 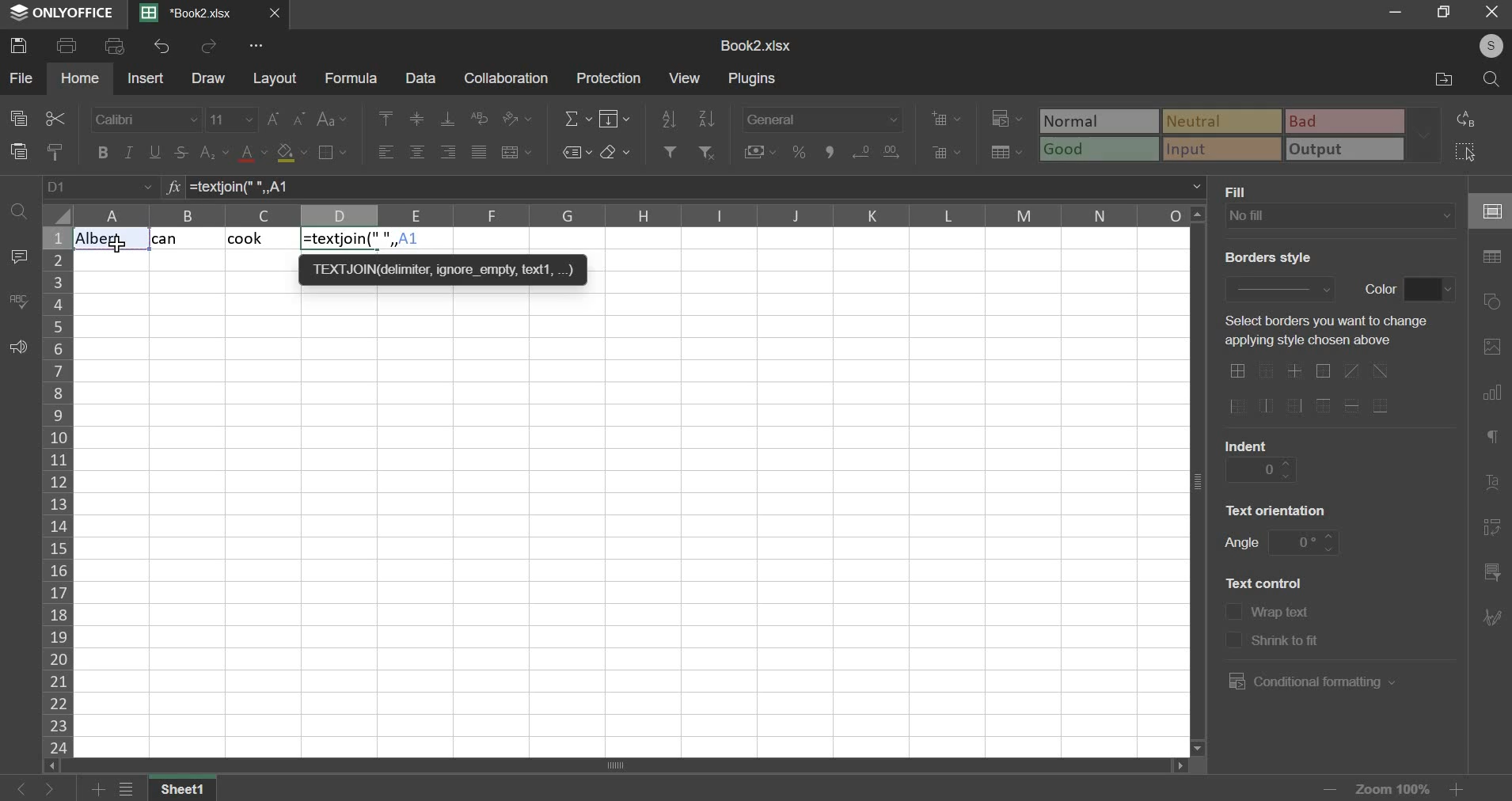 What do you see at coordinates (1492, 529) in the screenshot?
I see `pivot table` at bounding box center [1492, 529].